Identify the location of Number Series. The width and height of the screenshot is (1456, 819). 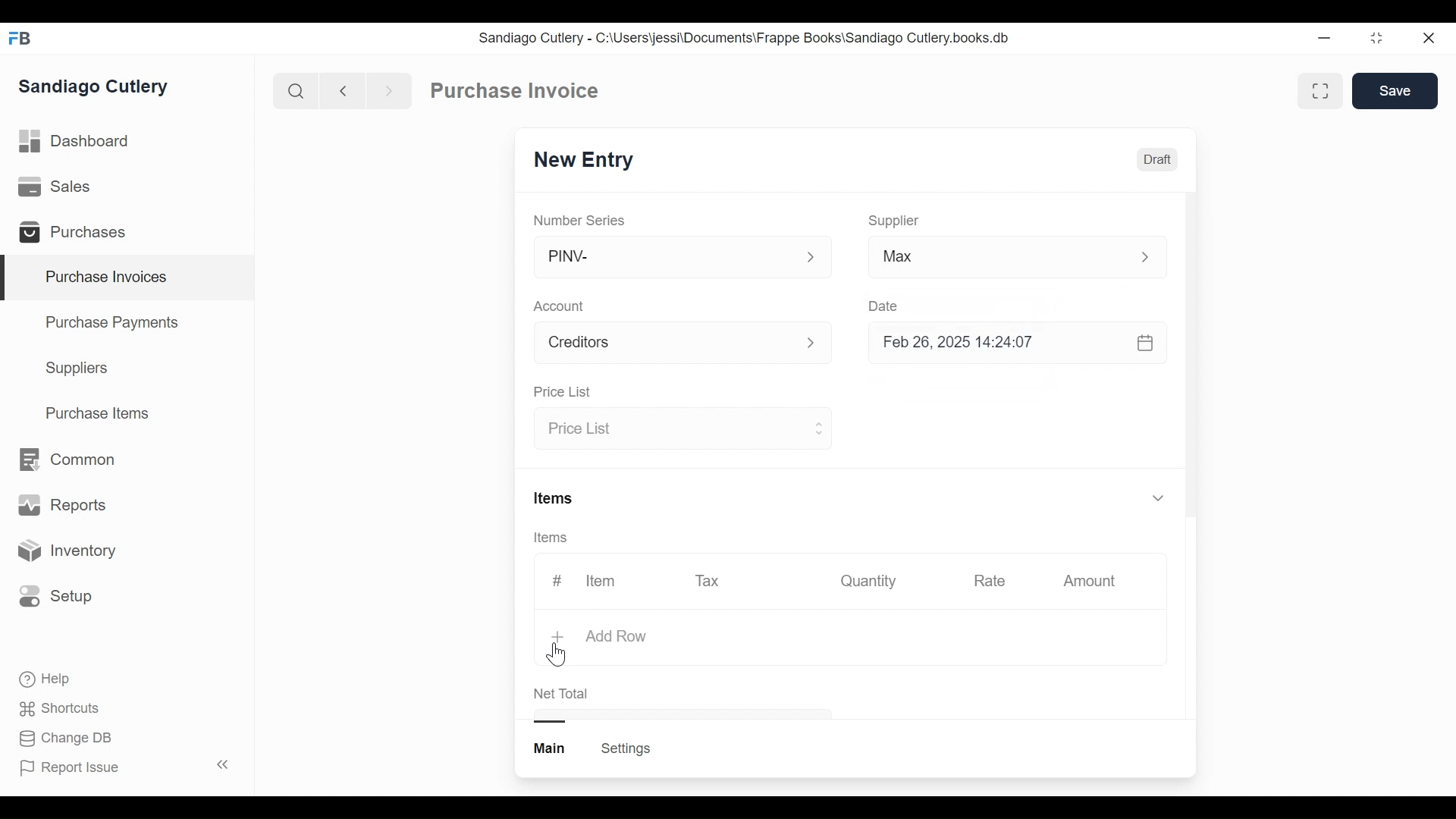
(581, 220).